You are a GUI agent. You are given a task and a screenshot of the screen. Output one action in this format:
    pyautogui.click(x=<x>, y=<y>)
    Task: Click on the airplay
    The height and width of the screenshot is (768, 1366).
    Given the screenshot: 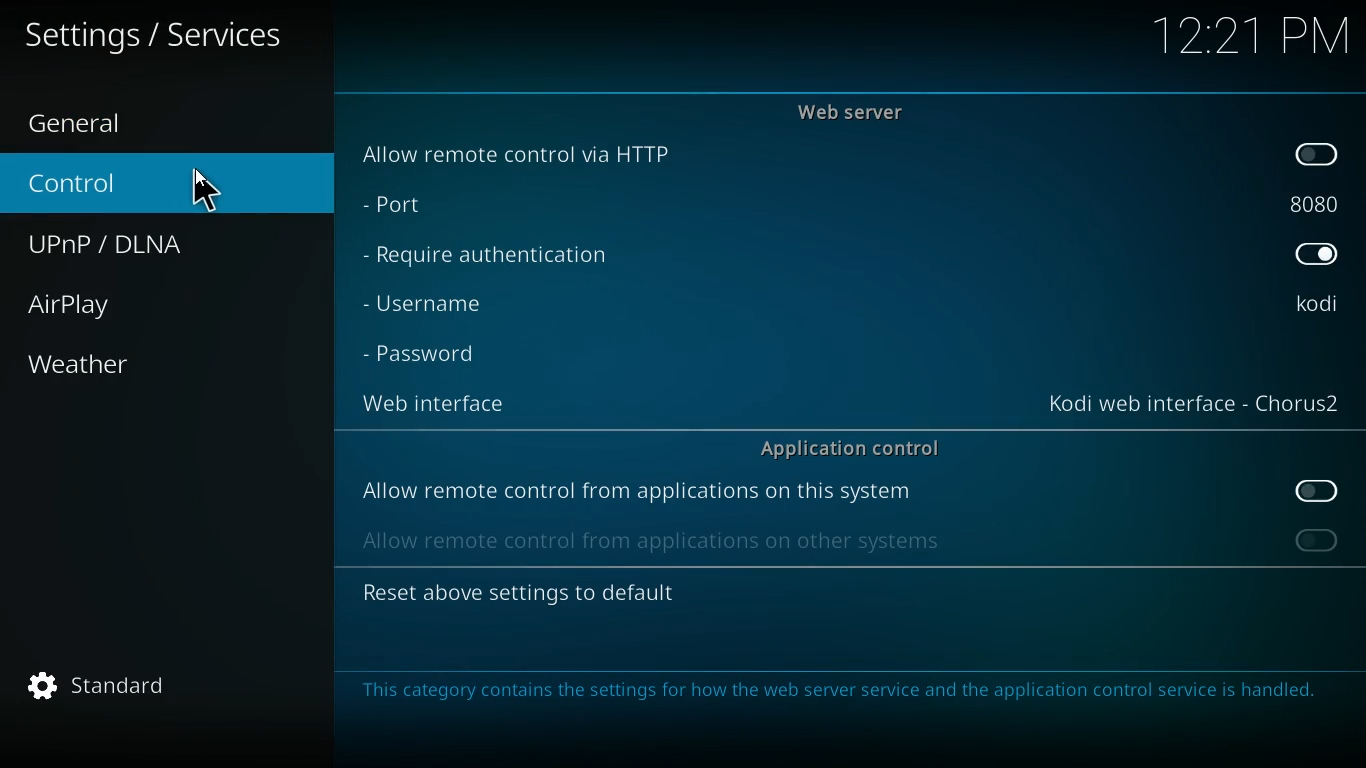 What is the action you would take?
    pyautogui.click(x=169, y=310)
    